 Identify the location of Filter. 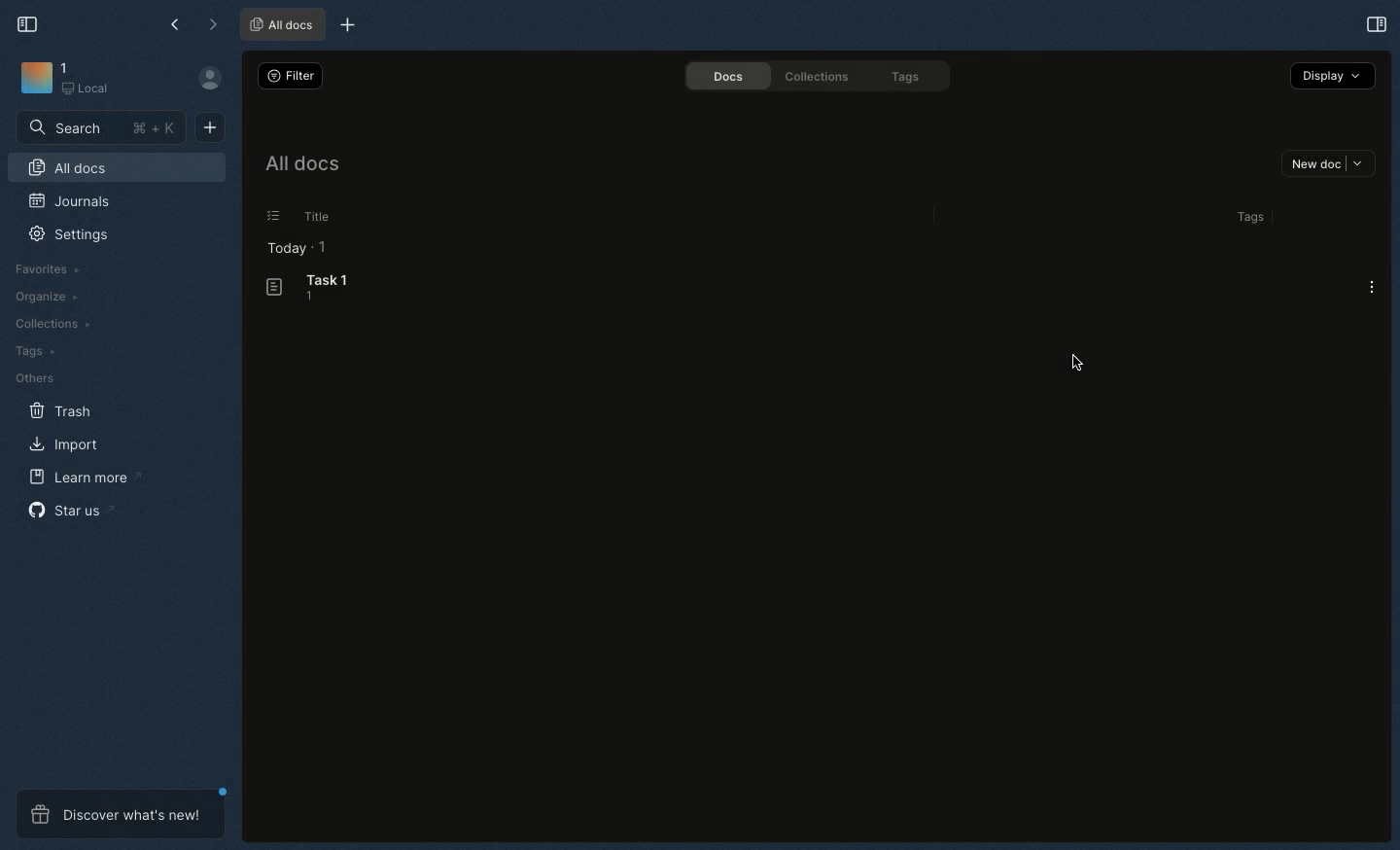
(292, 76).